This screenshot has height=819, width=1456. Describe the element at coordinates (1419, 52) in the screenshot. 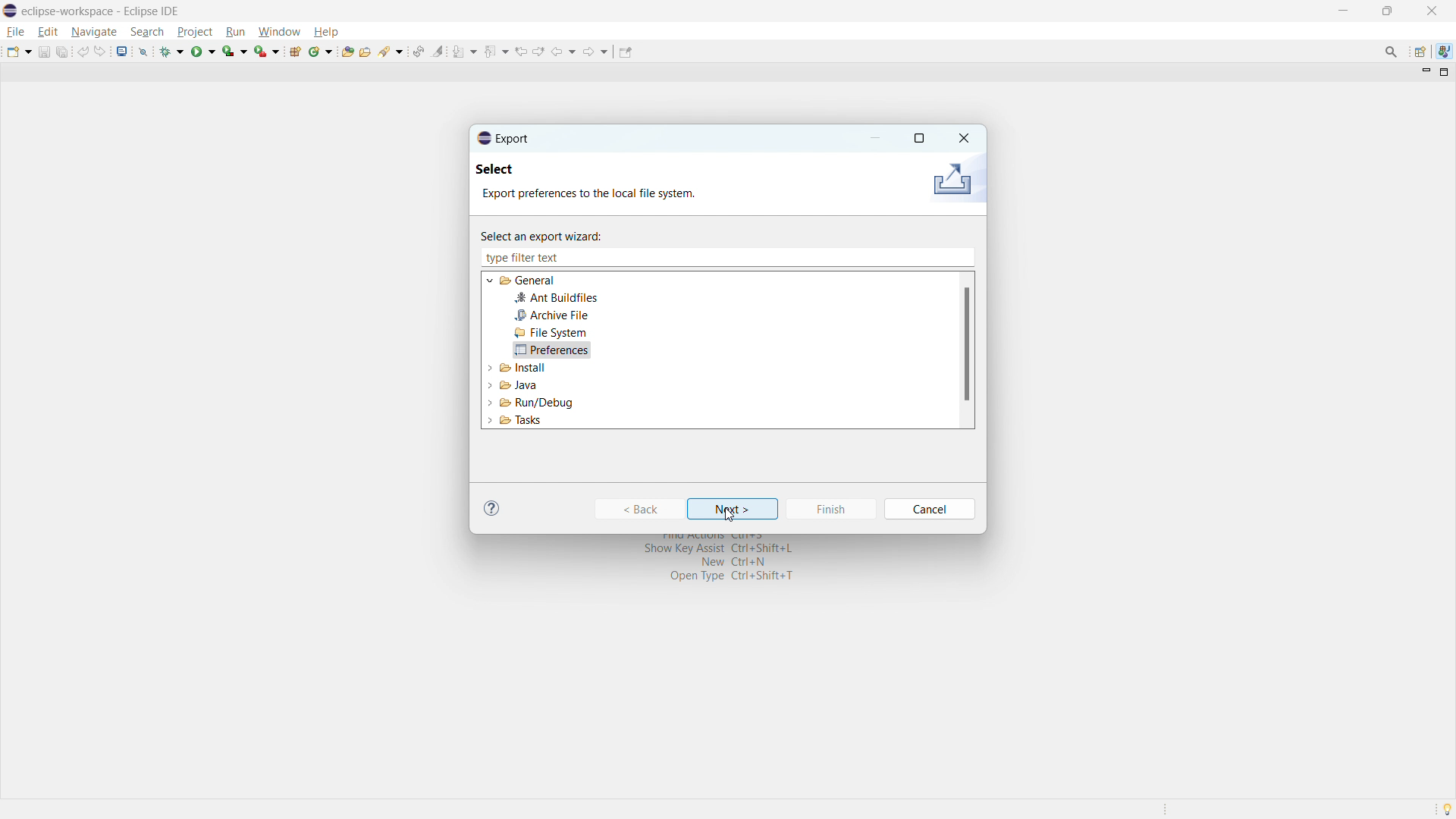

I see `open perspective` at that location.